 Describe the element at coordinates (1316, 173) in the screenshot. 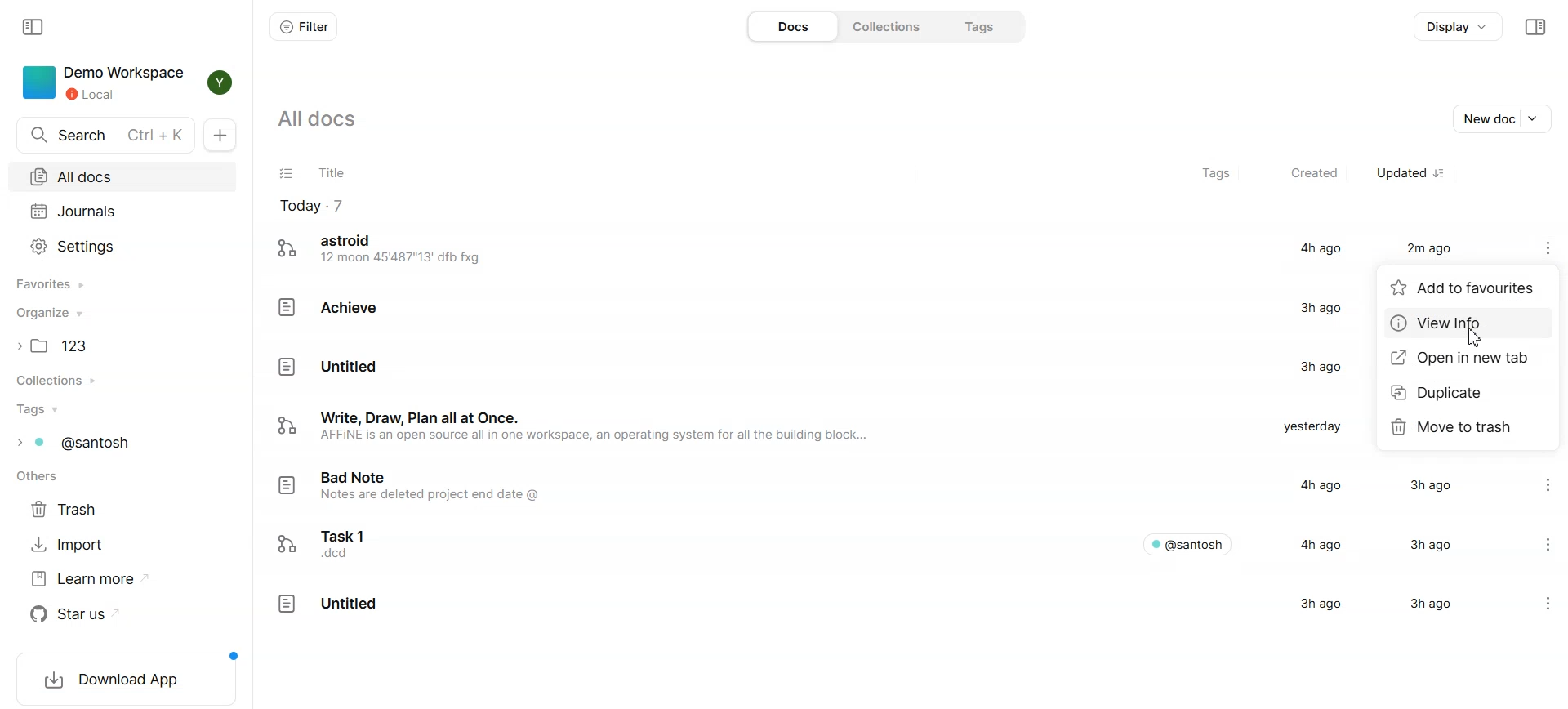

I see `Created` at that location.